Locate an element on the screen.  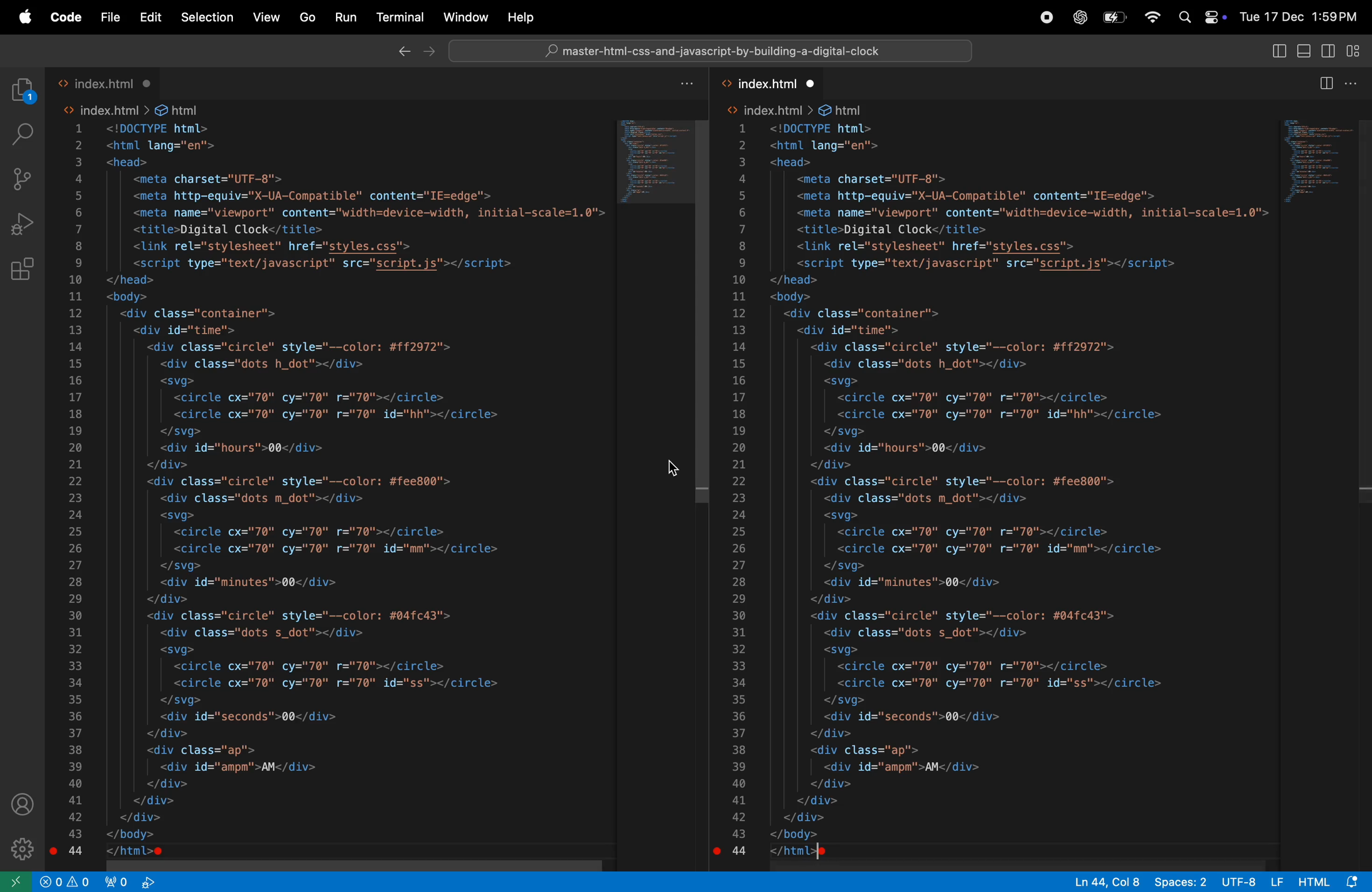
record is located at coordinates (1046, 17).